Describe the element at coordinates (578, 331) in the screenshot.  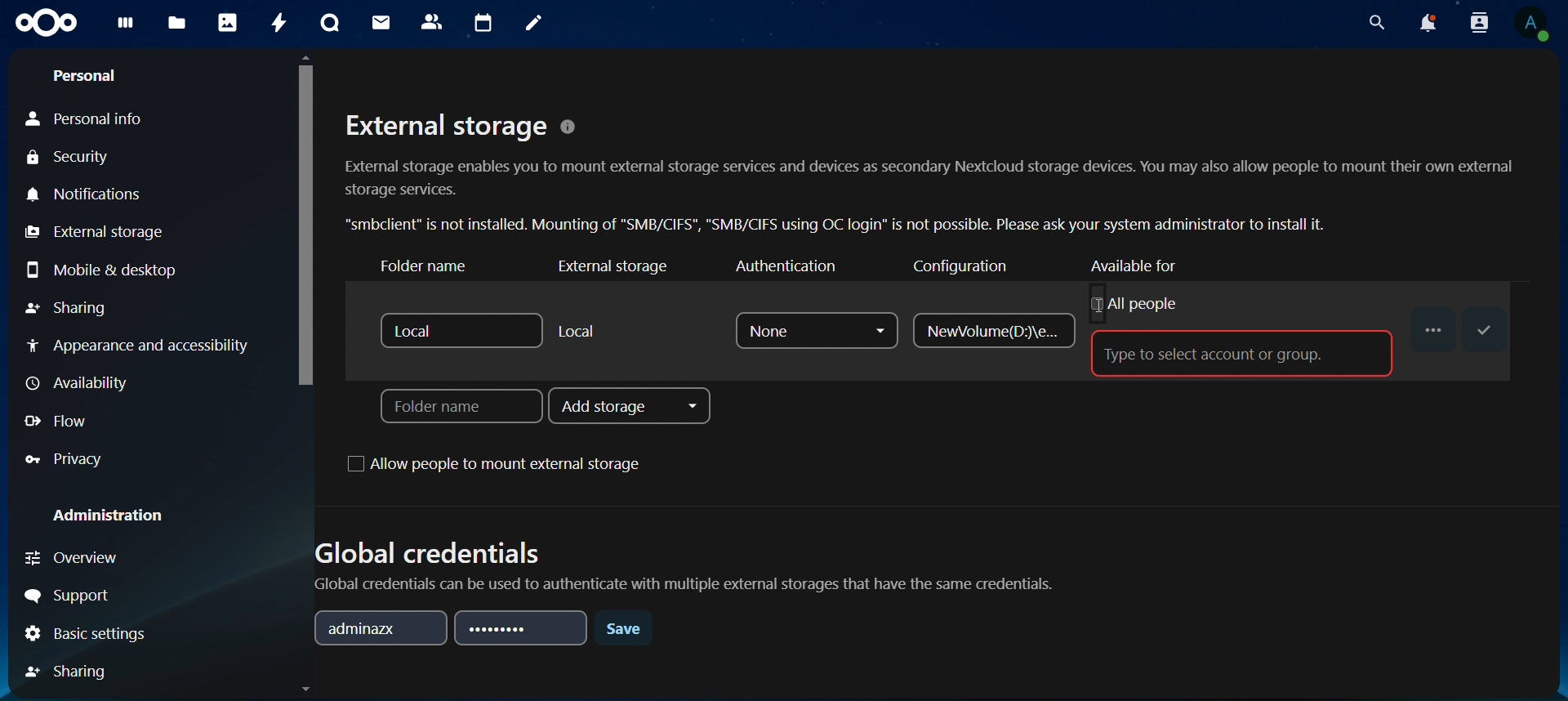
I see `local` at that location.